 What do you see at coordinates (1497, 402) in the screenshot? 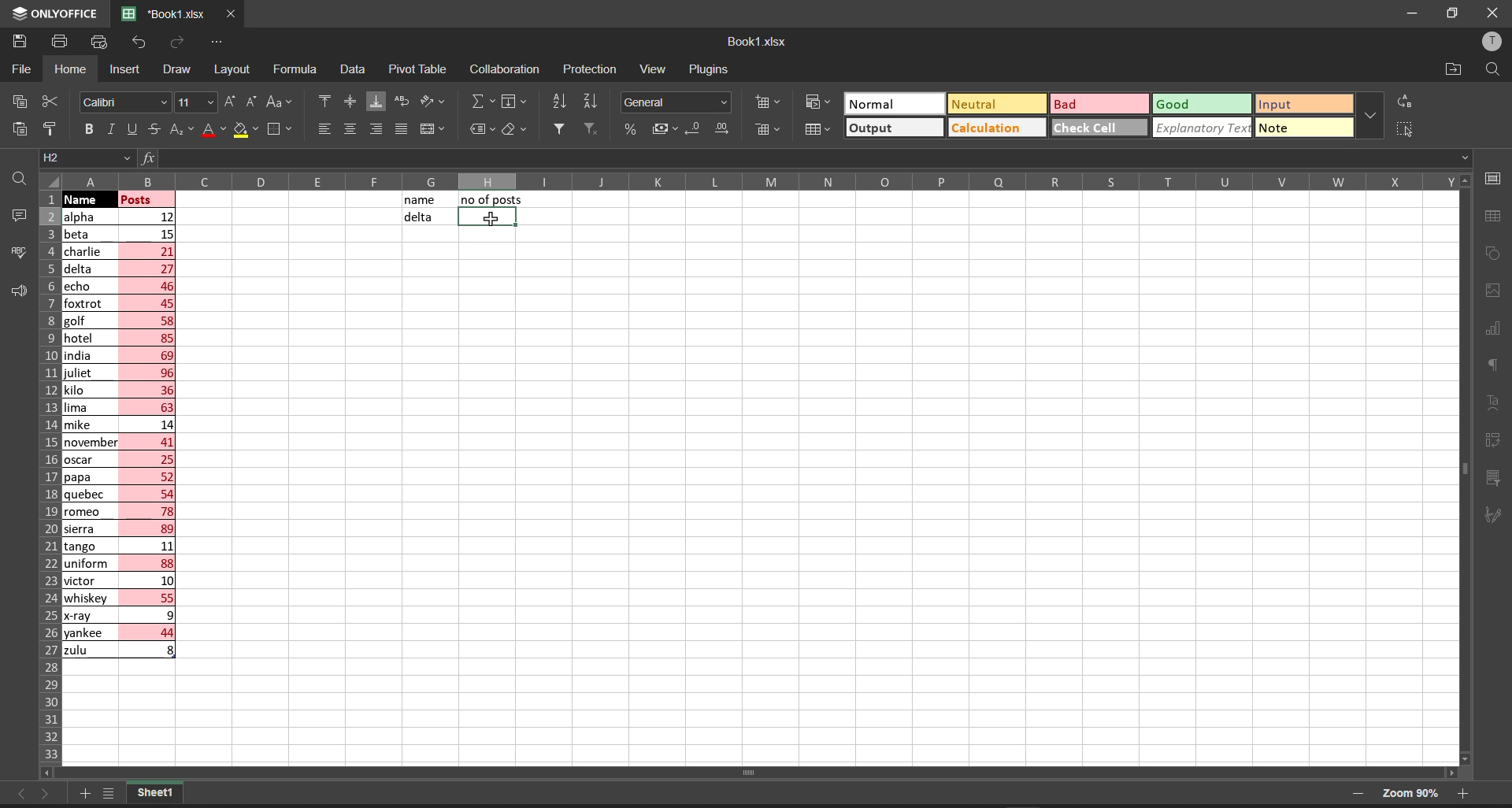
I see `text settings` at bounding box center [1497, 402].